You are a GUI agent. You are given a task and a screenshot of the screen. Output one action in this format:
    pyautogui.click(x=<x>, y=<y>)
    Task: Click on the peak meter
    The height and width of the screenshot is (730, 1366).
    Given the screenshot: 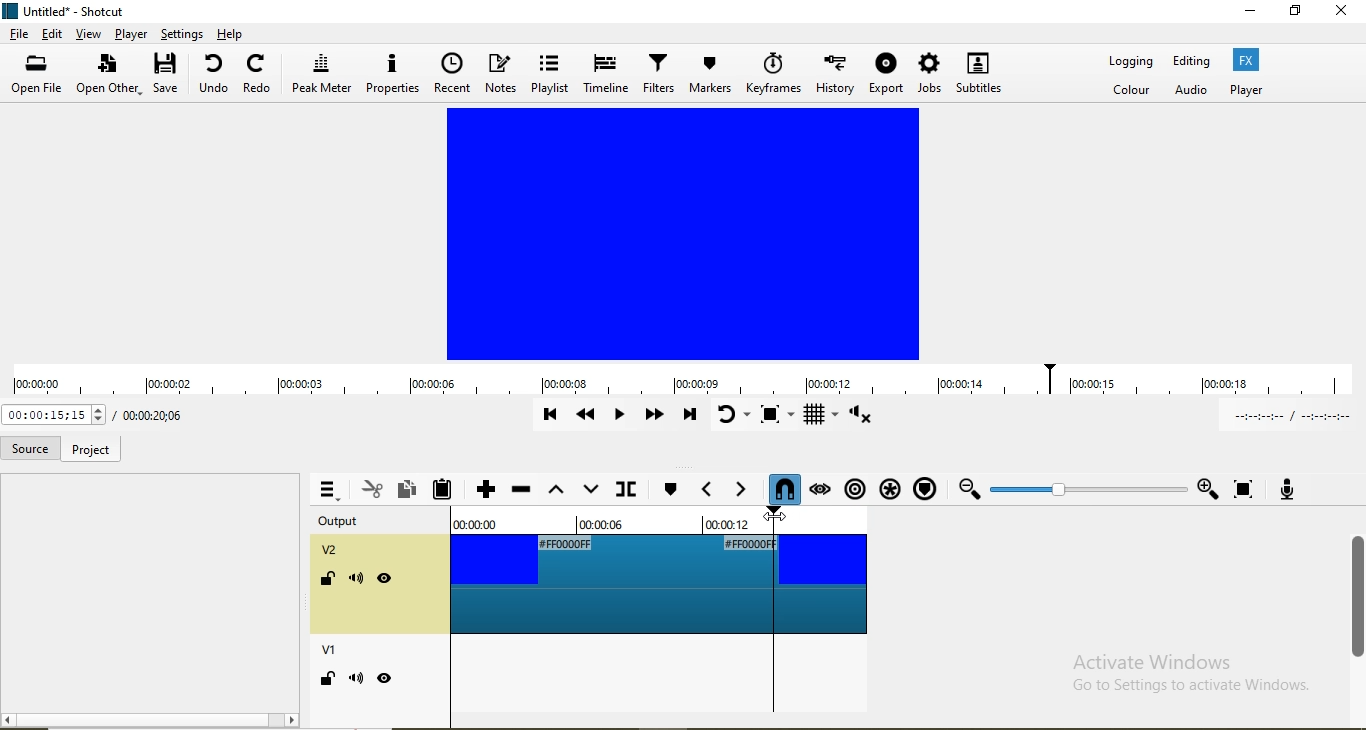 What is the action you would take?
    pyautogui.click(x=322, y=74)
    